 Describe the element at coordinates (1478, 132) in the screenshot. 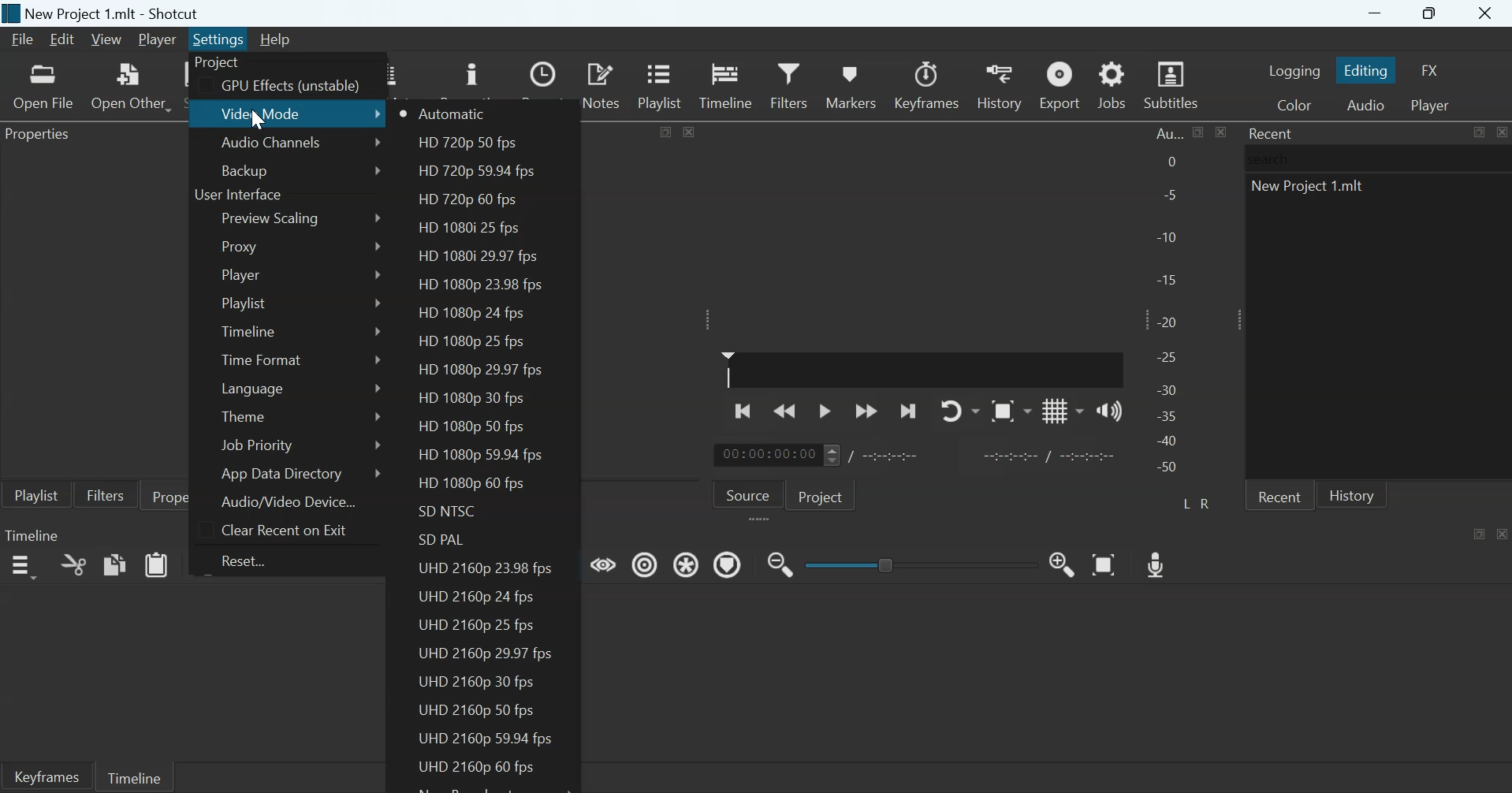

I see `Maximize` at that location.